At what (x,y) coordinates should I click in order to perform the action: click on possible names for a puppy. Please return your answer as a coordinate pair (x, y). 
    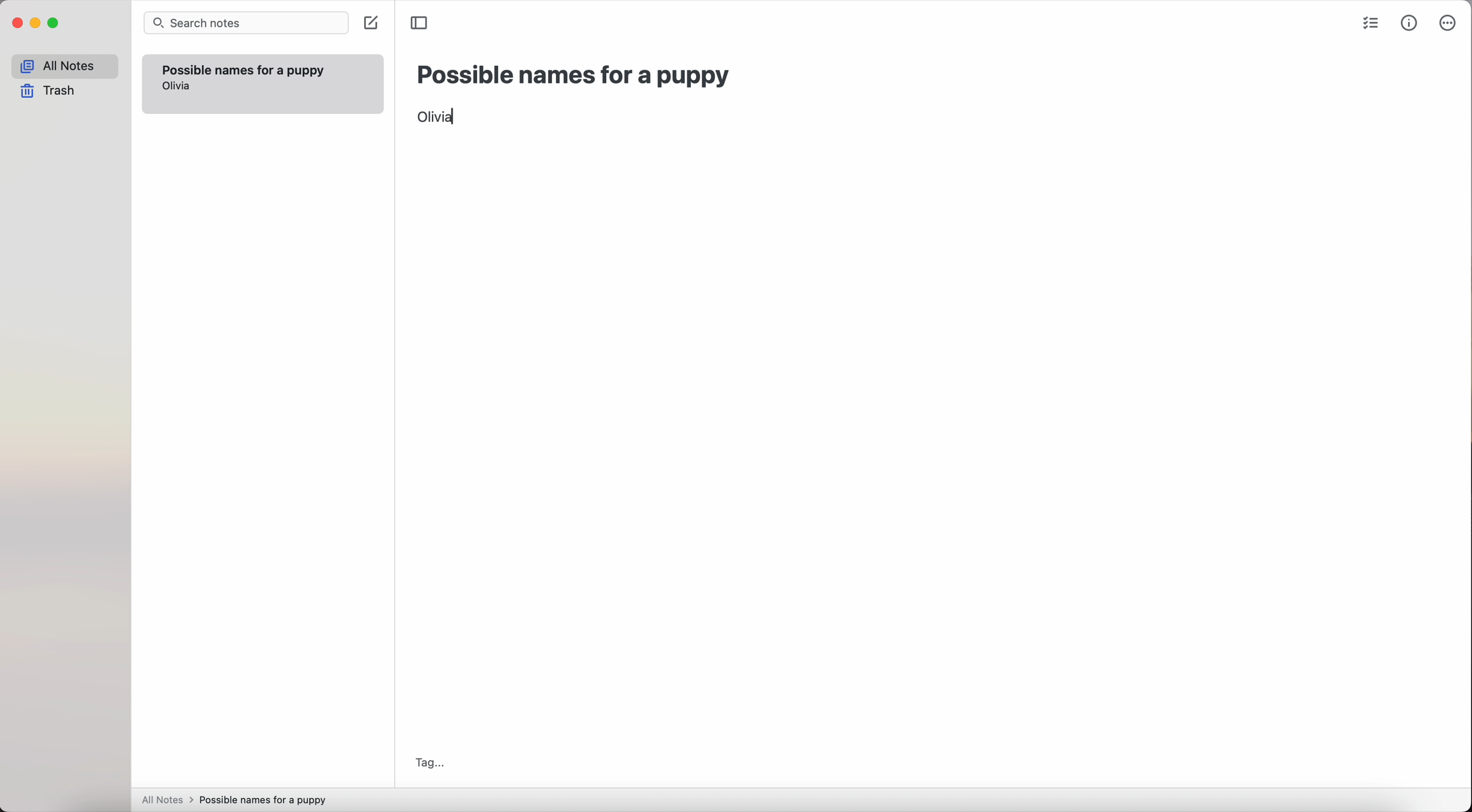
    Looking at the image, I should click on (574, 75).